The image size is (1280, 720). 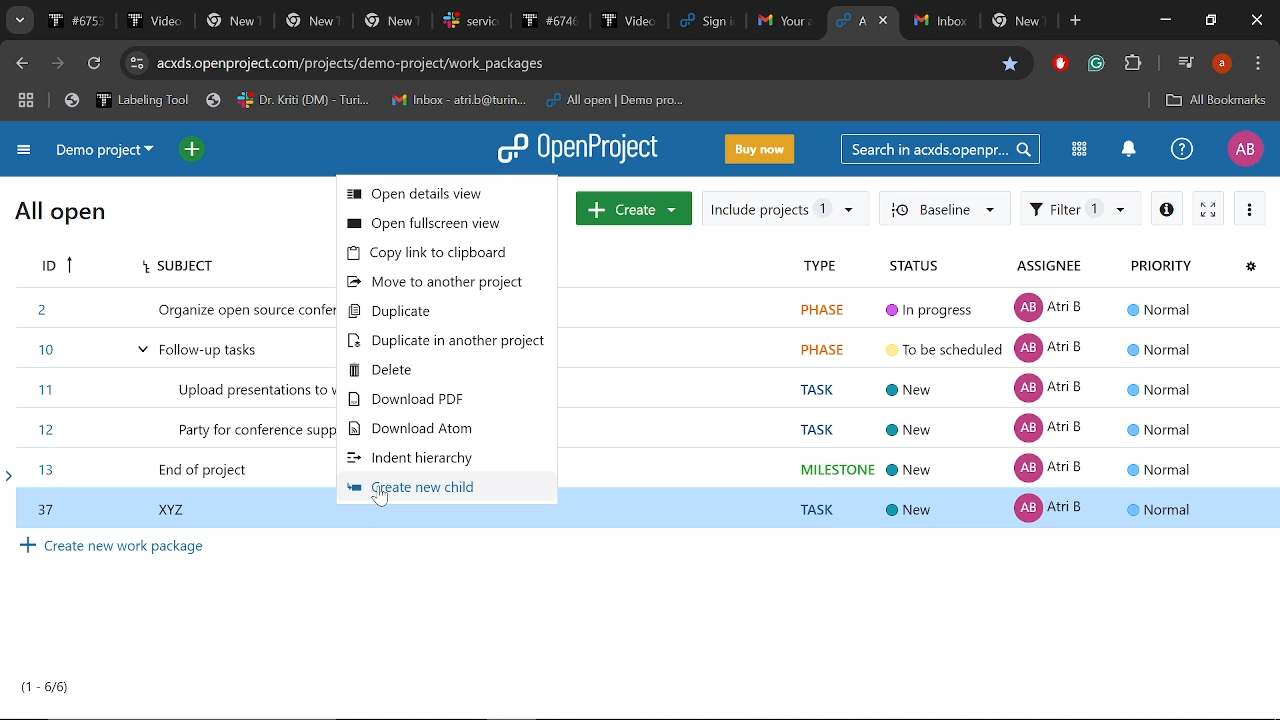 What do you see at coordinates (137, 63) in the screenshot?
I see `Cite info` at bounding box center [137, 63].